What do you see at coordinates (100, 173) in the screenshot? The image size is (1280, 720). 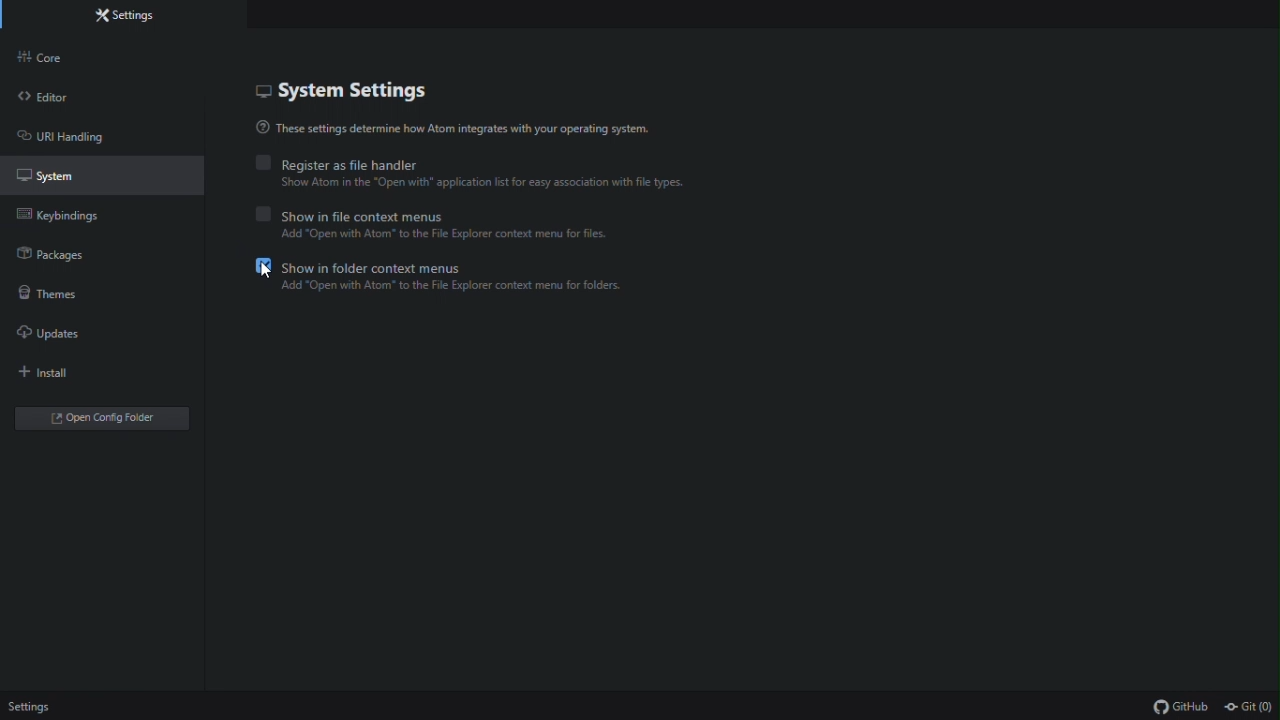 I see `System` at bounding box center [100, 173].